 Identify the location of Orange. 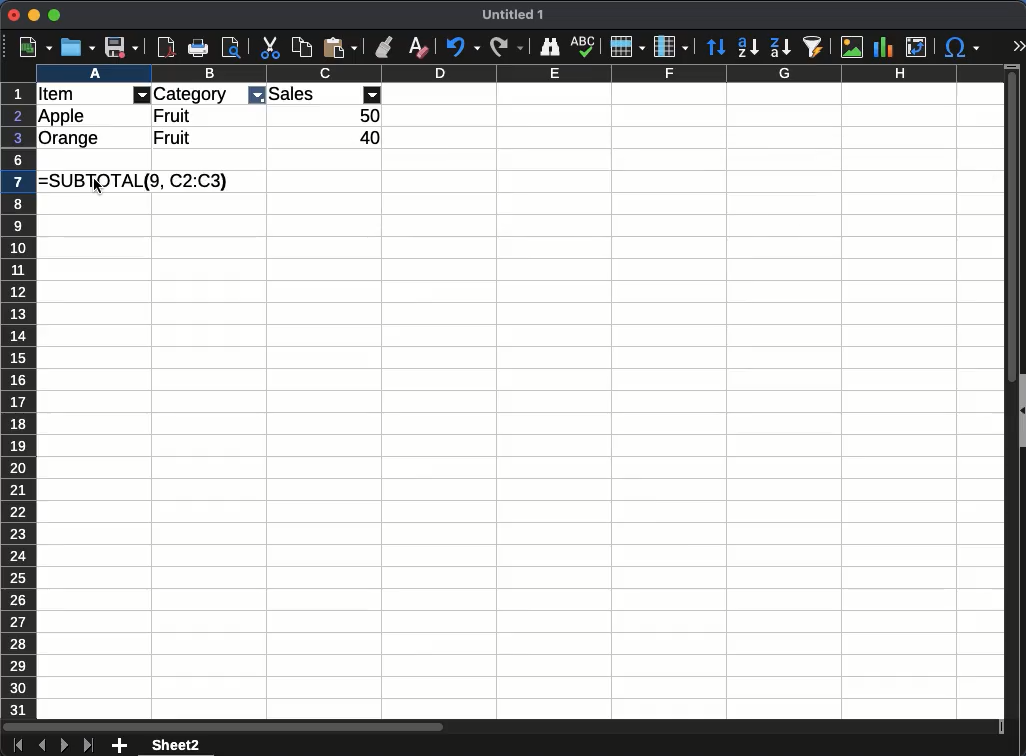
(70, 139).